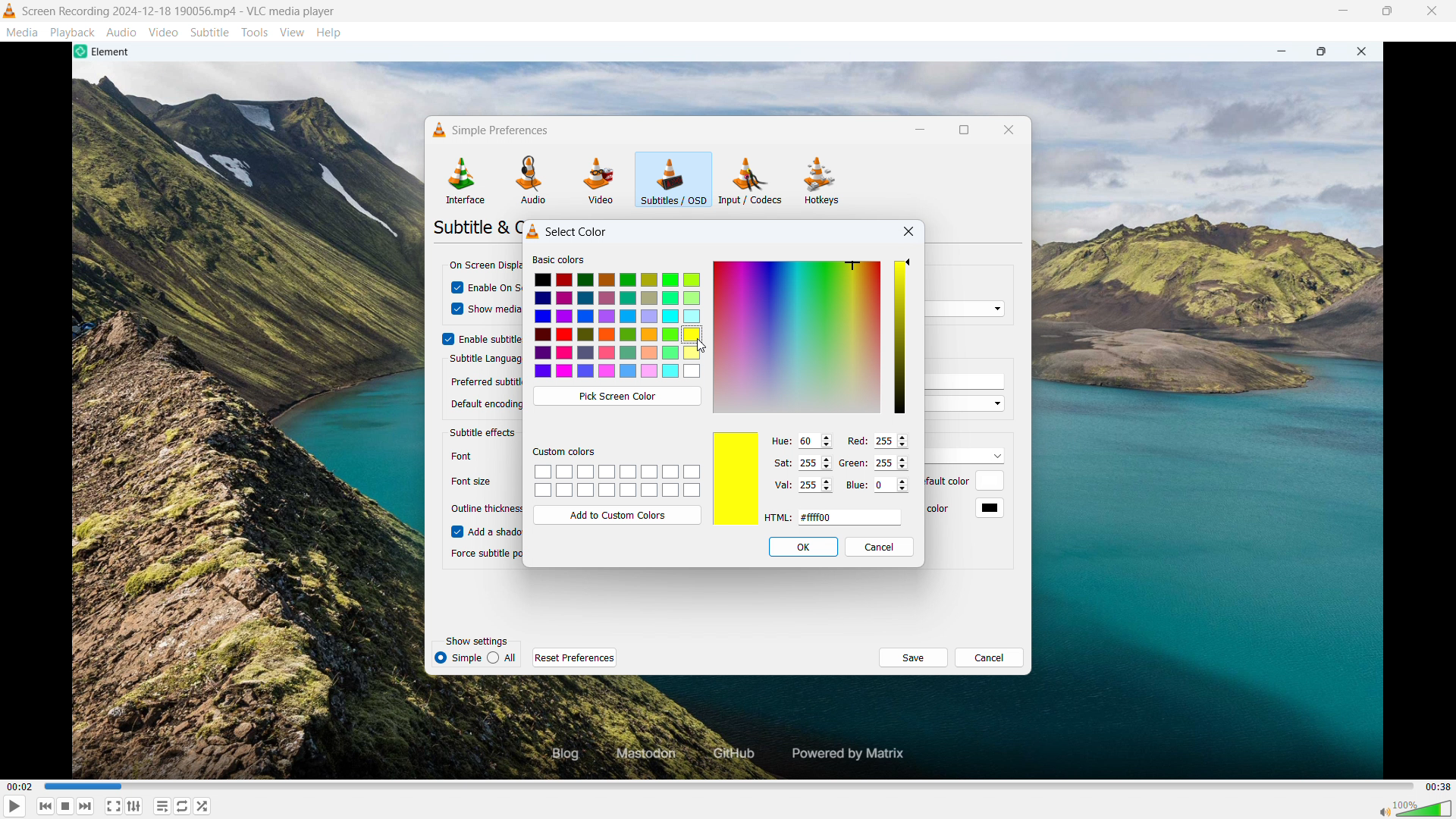 This screenshot has width=1456, height=819. What do you see at coordinates (891, 485) in the screenshot?
I see `Set blue ` at bounding box center [891, 485].